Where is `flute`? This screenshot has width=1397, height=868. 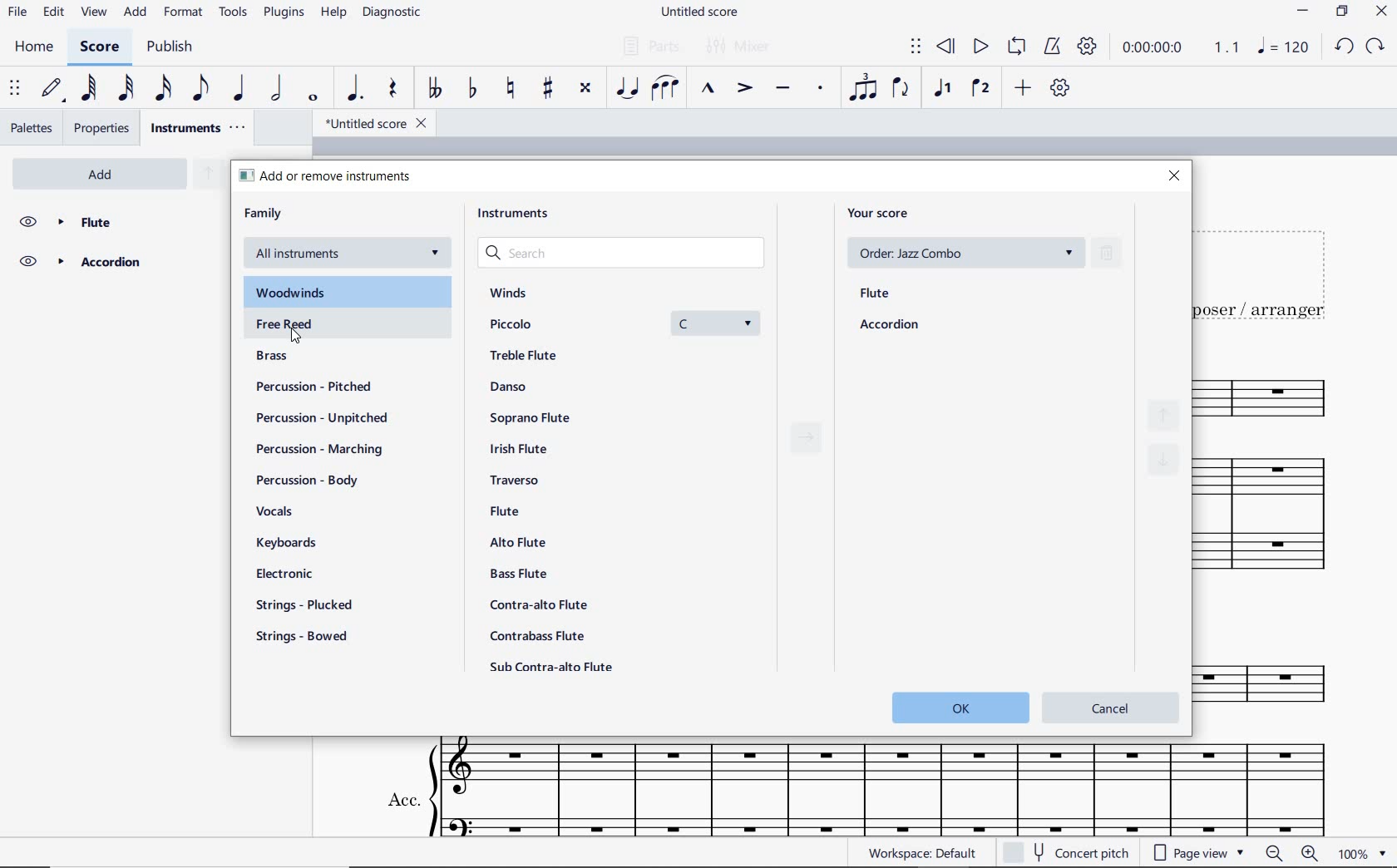 flute is located at coordinates (876, 294).